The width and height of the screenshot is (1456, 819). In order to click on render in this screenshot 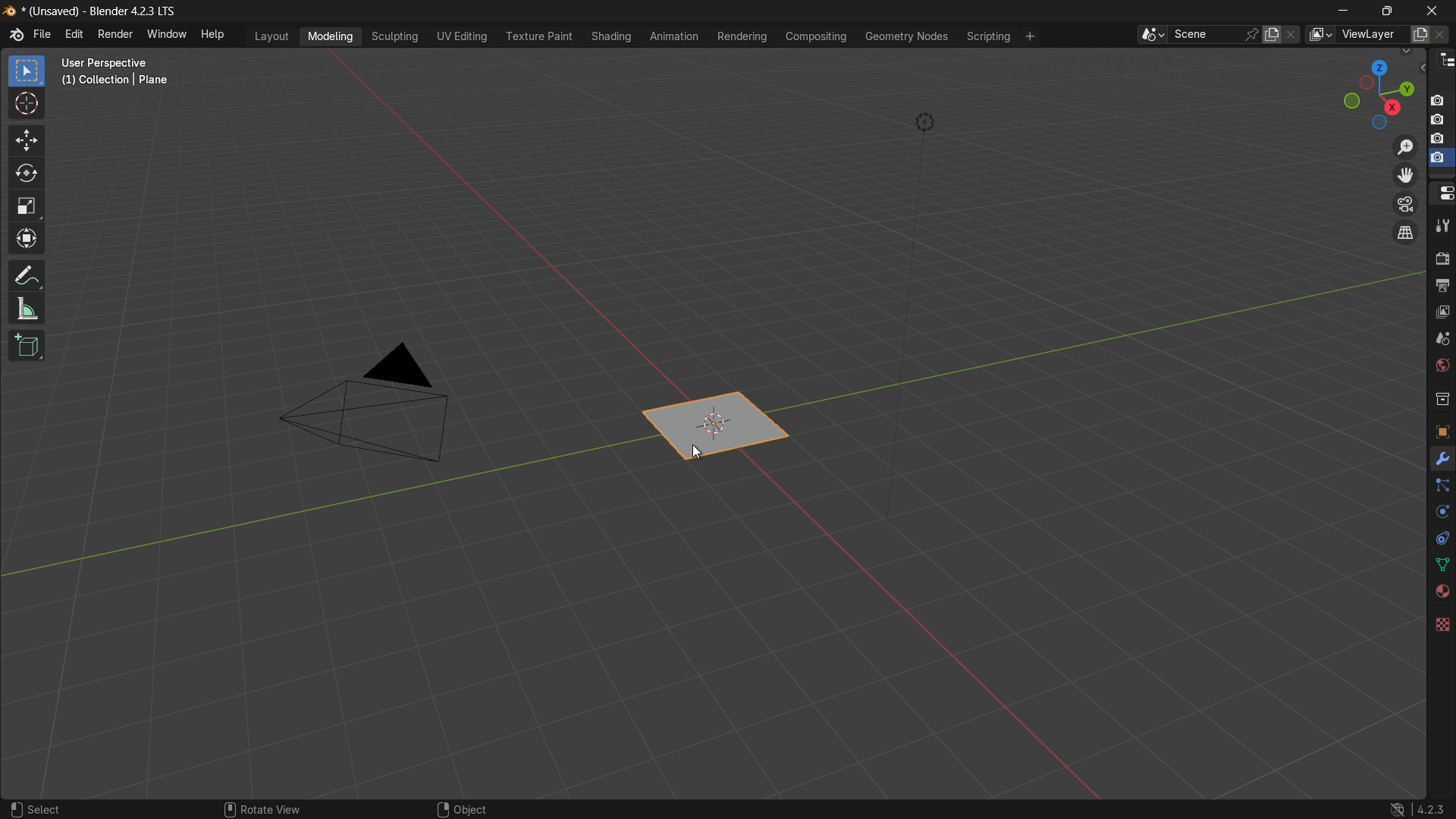, I will do `click(1441, 257)`.